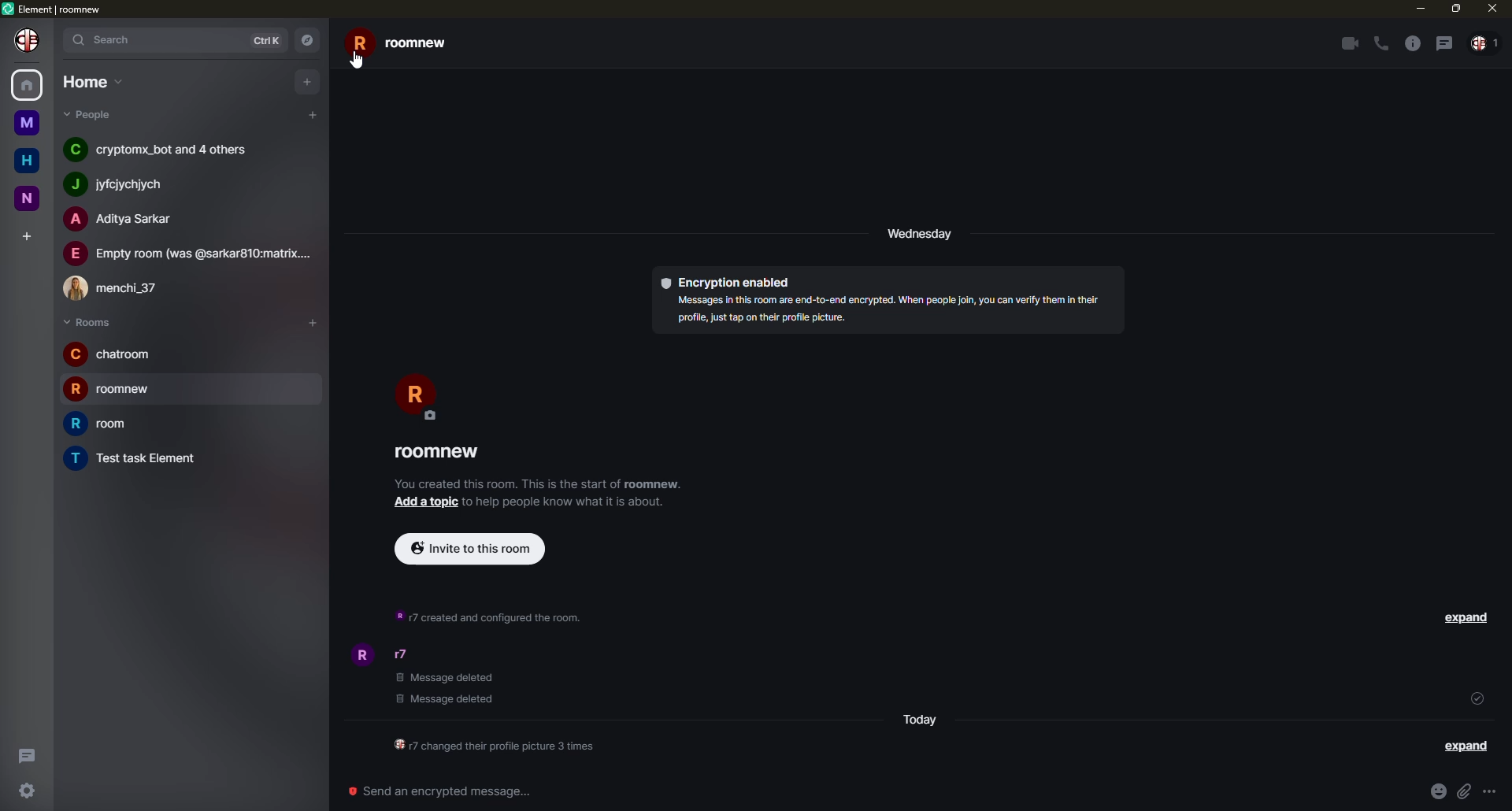 The image size is (1512, 811). Describe the element at coordinates (445, 791) in the screenshot. I see `send an encrypted message` at that location.